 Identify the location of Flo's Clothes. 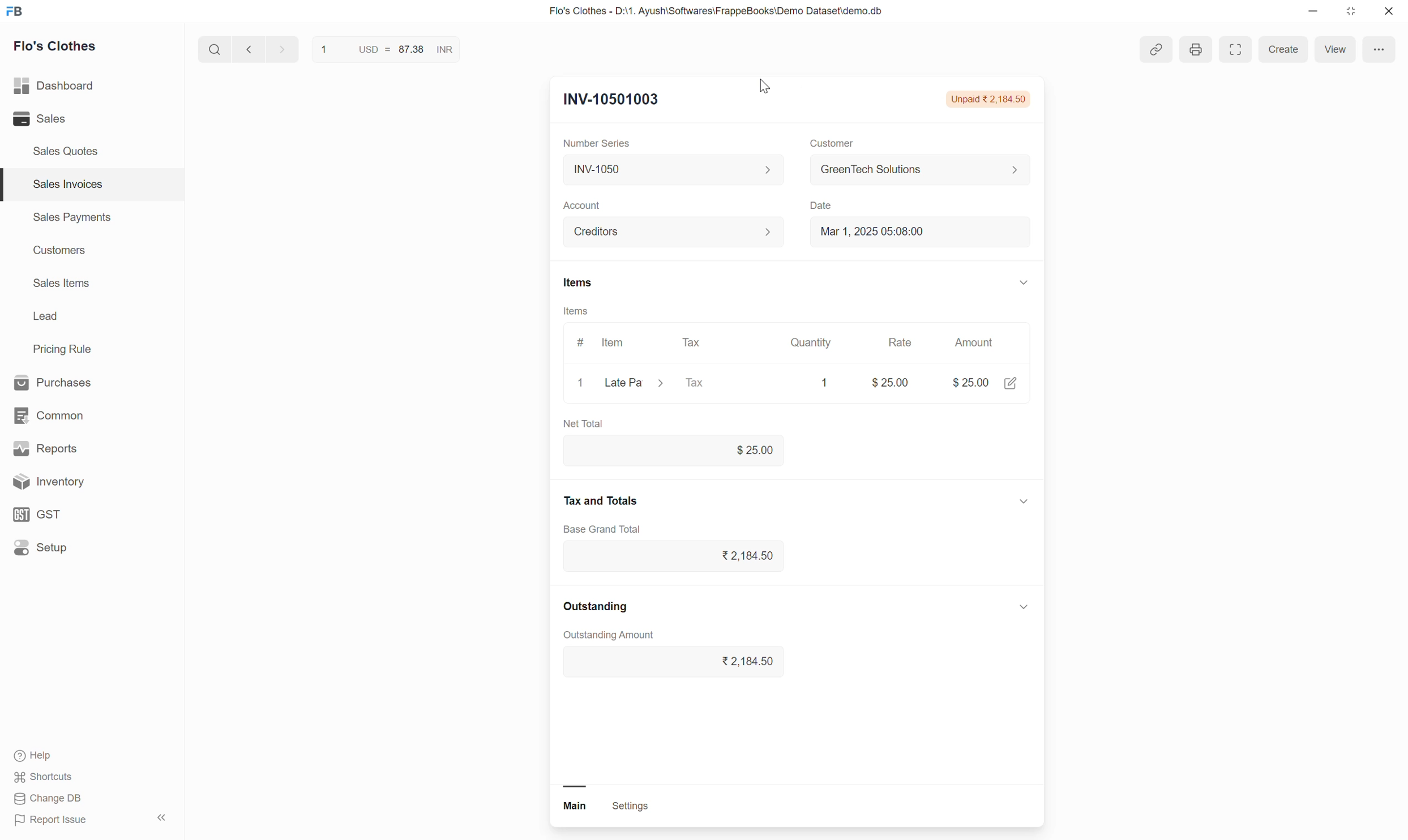
(61, 48).